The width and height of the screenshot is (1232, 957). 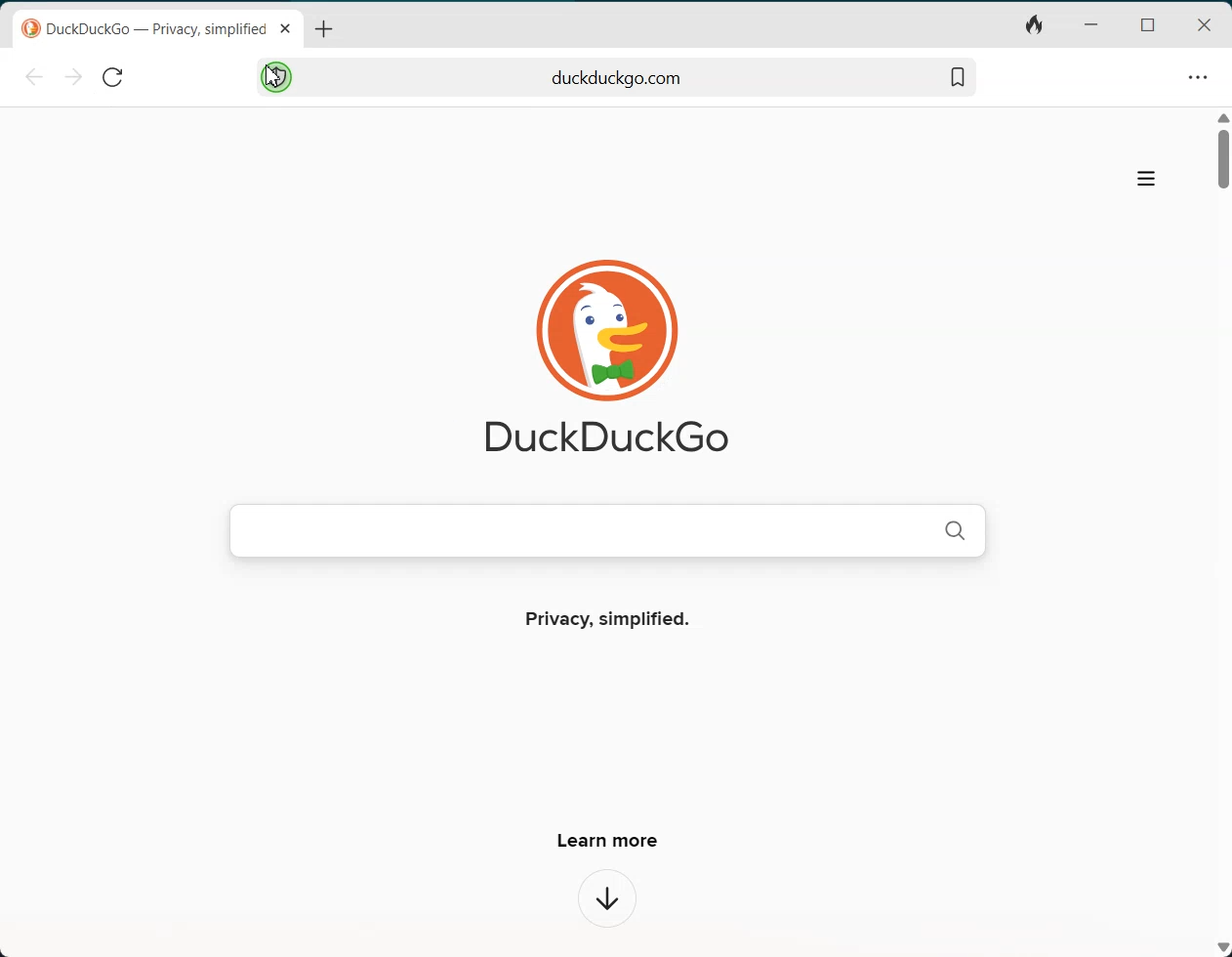 I want to click on Forward, so click(x=71, y=77).